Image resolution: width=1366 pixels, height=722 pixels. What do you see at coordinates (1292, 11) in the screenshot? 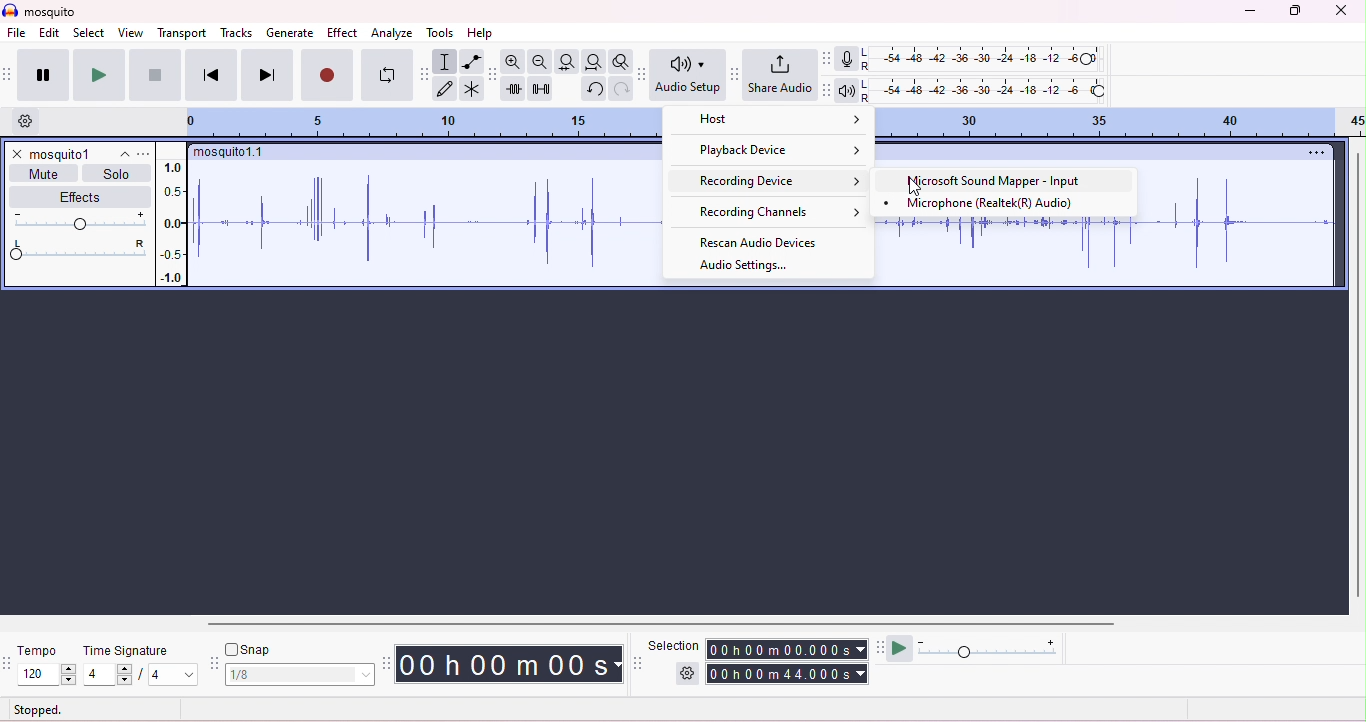
I see `maximize` at bounding box center [1292, 11].